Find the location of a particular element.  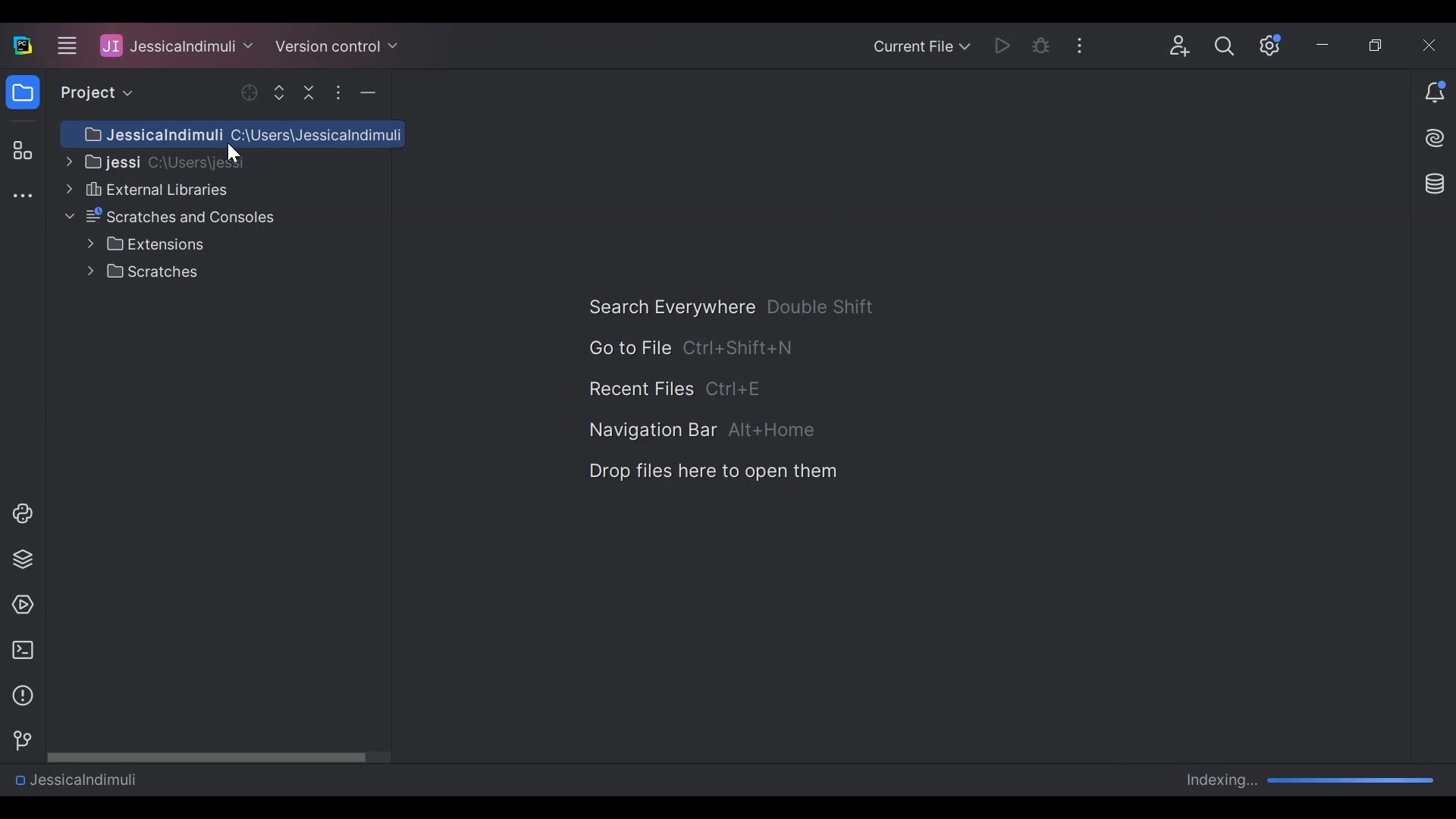

information is located at coordinates (19, 696).